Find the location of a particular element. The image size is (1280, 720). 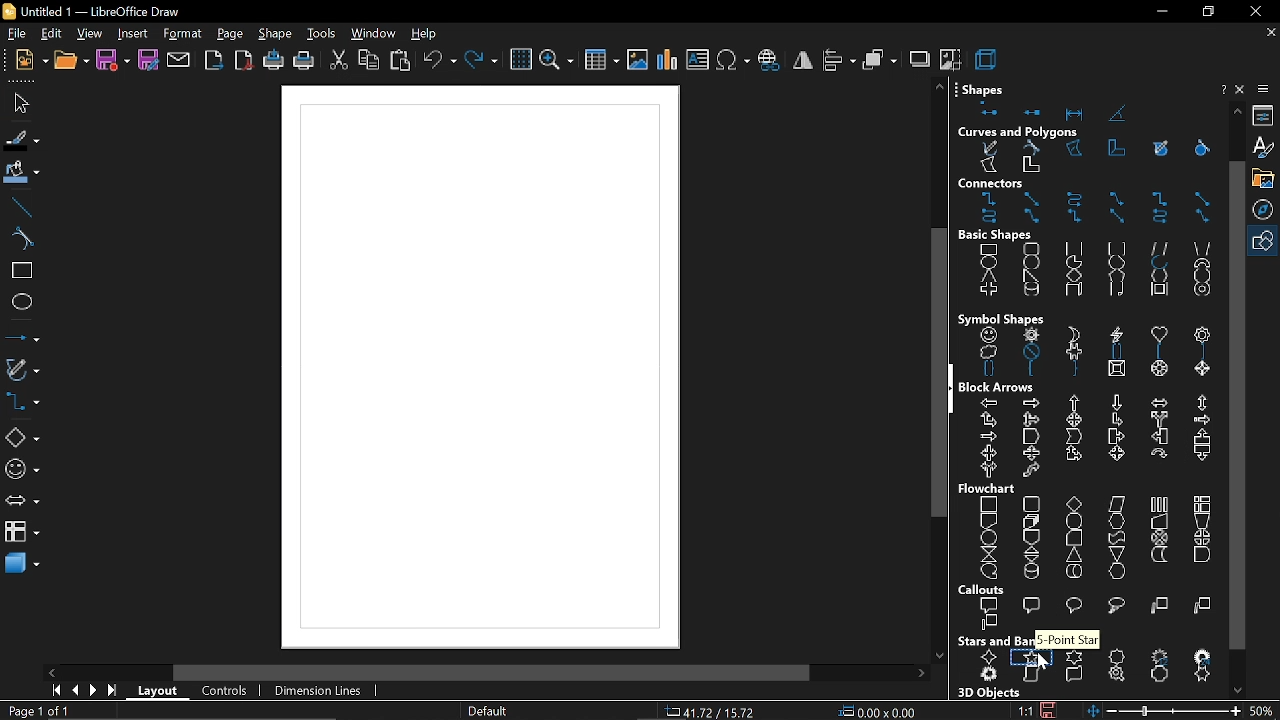

move right  is located at coordinates (925, 673).